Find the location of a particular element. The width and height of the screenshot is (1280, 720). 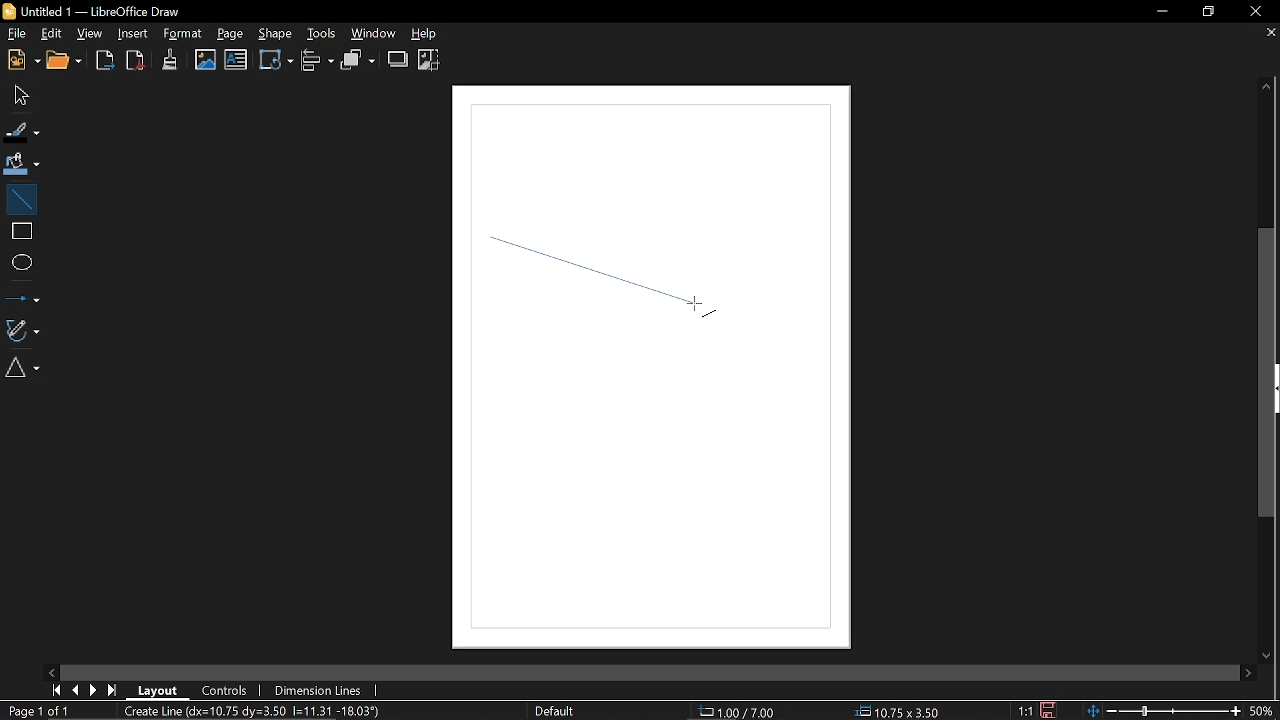

Help is located at coordinates (431, 35).